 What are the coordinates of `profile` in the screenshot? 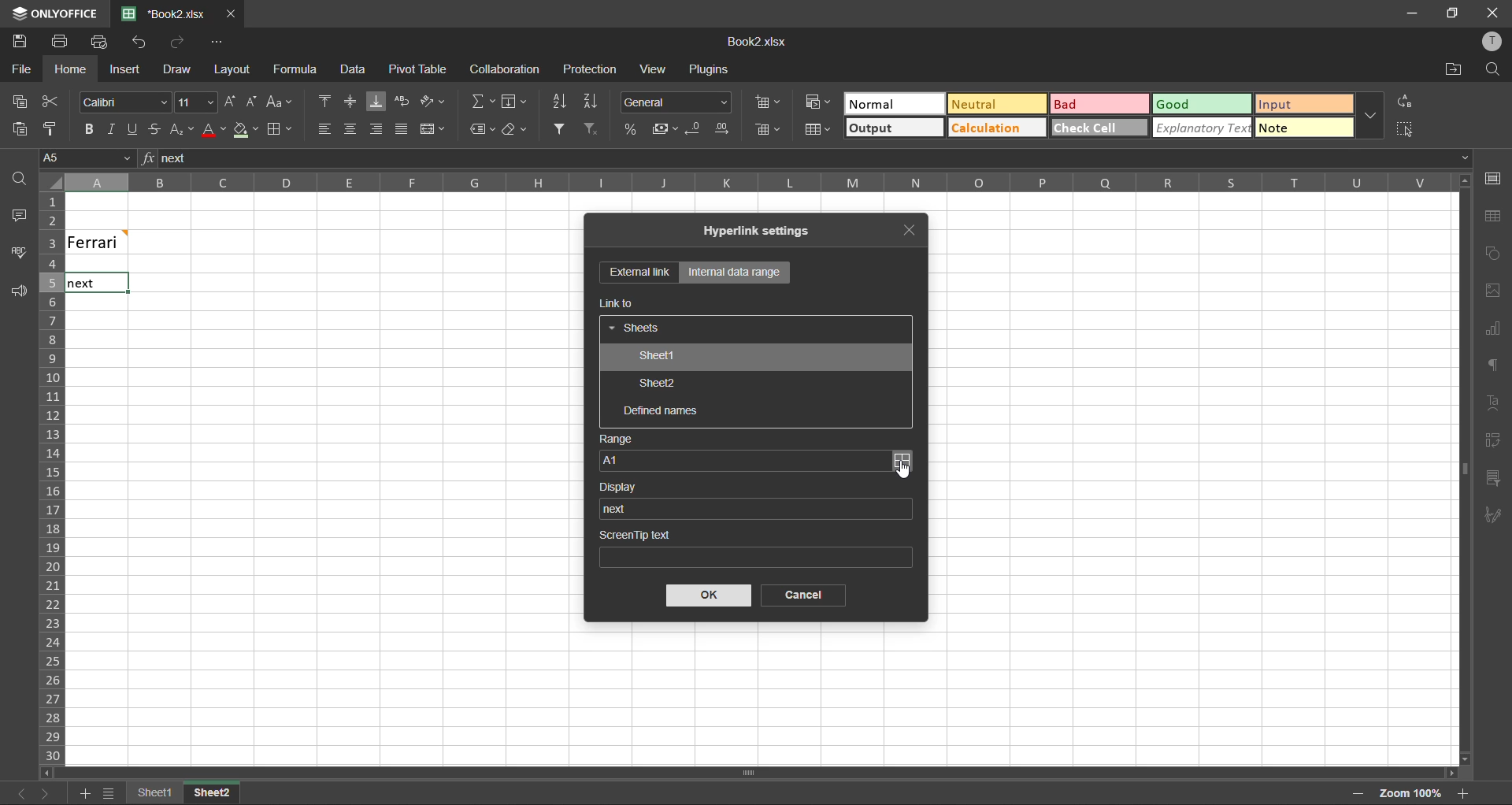 It's located at (1490, 41).